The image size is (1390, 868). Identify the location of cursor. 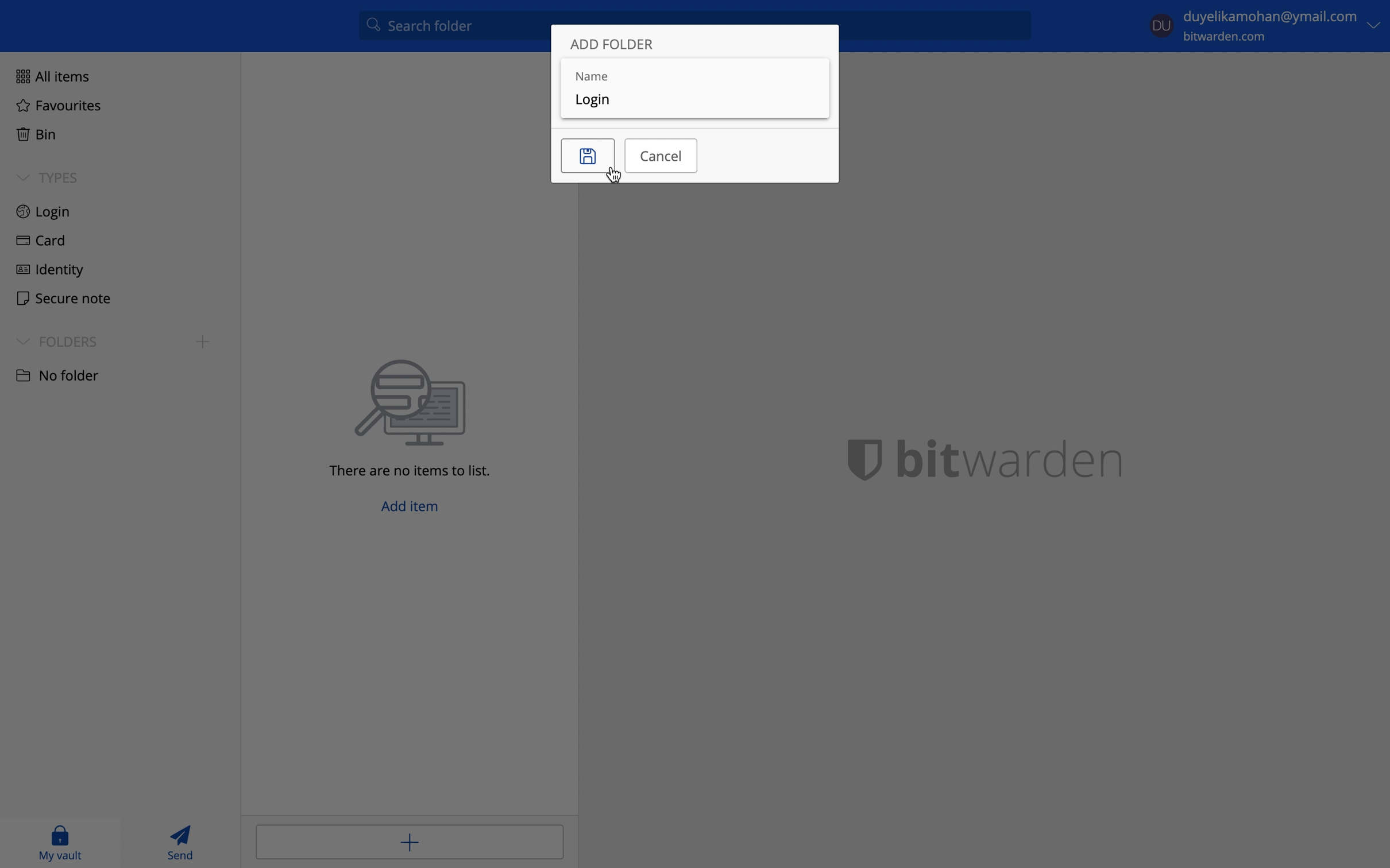
(616, 176).